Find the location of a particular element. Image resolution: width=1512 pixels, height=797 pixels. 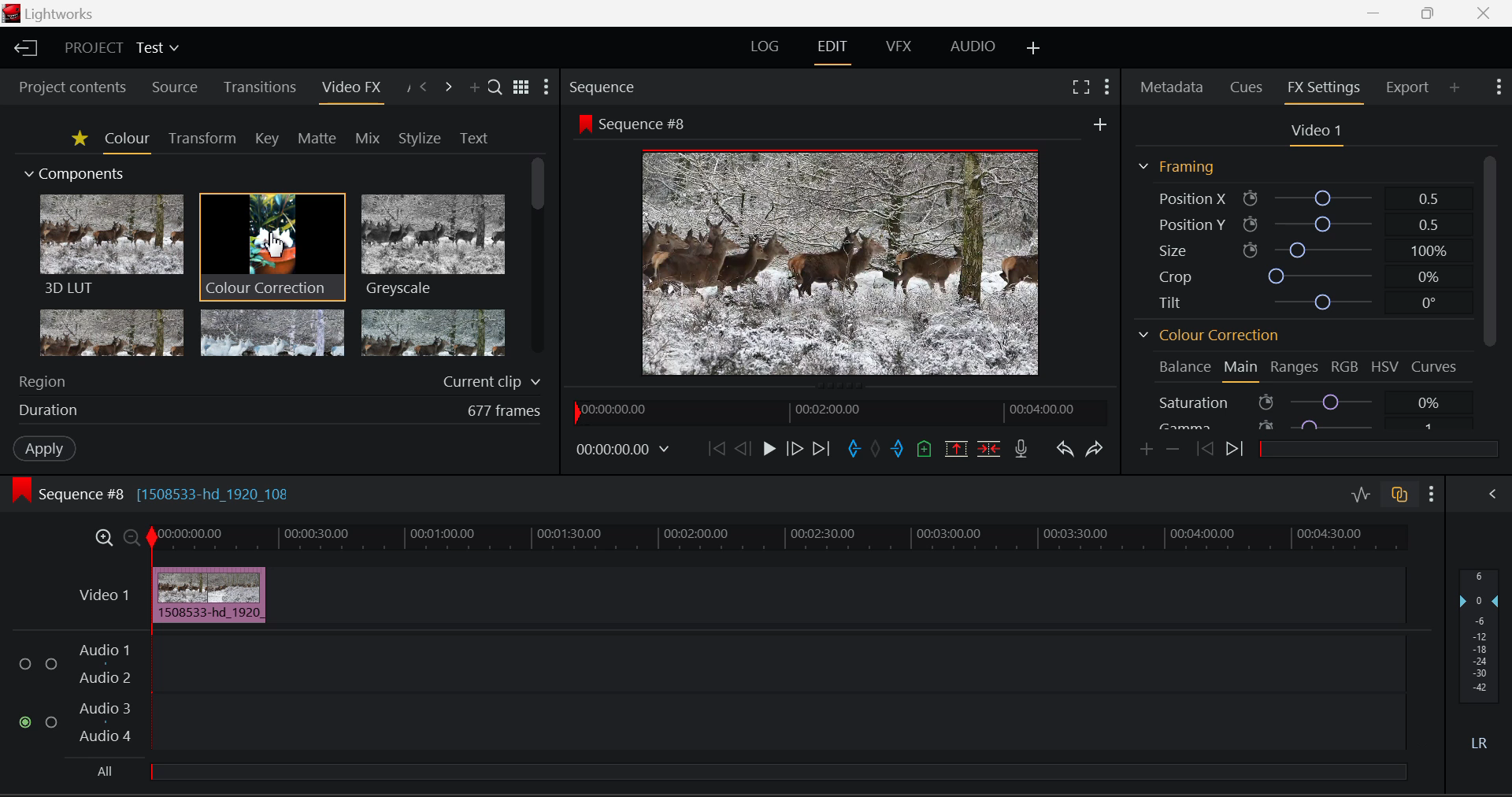

Audio 3 is located at coordinates (105, 710).